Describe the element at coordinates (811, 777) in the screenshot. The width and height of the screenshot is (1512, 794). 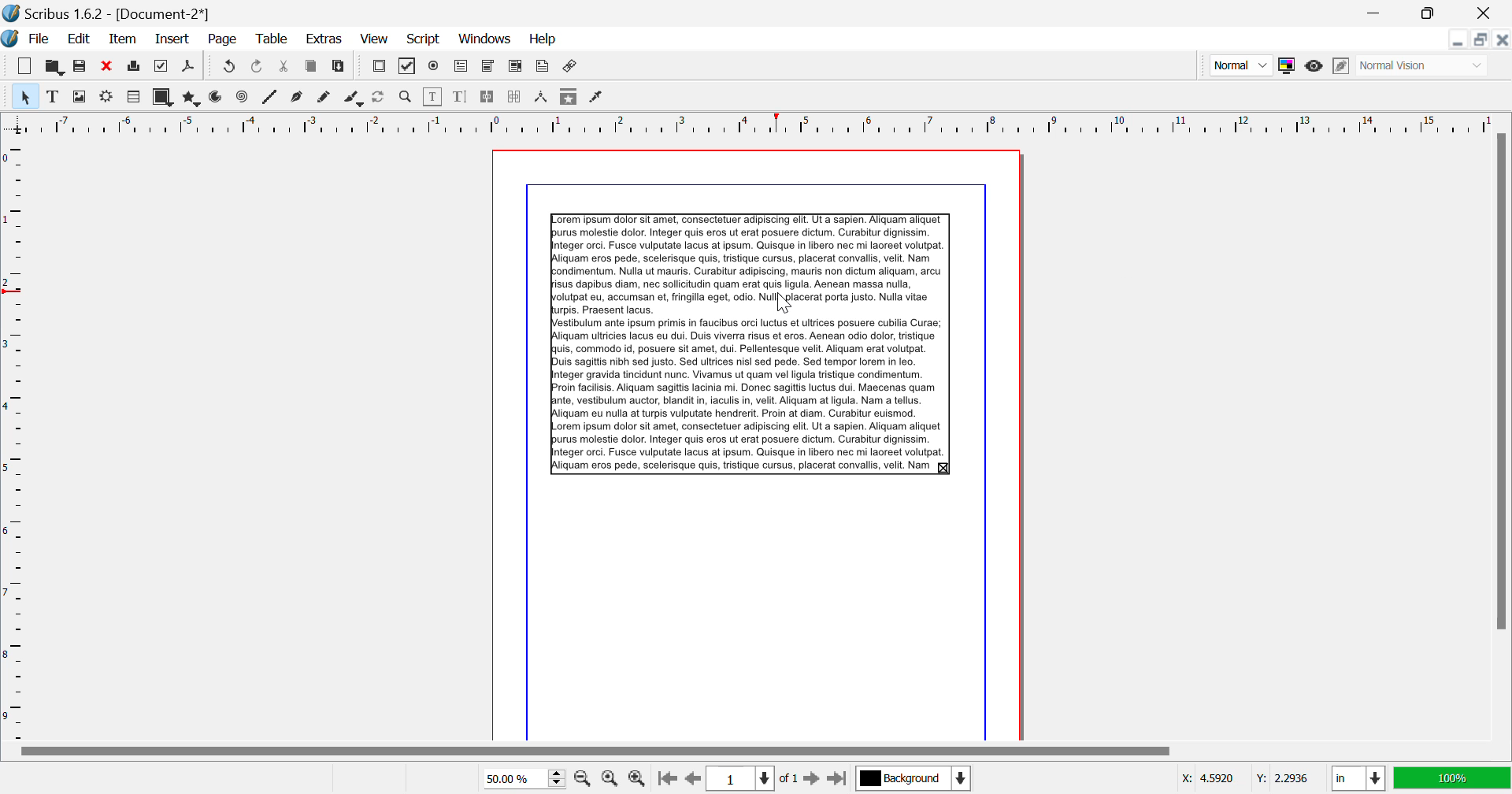
I see `Next Page` at that location.